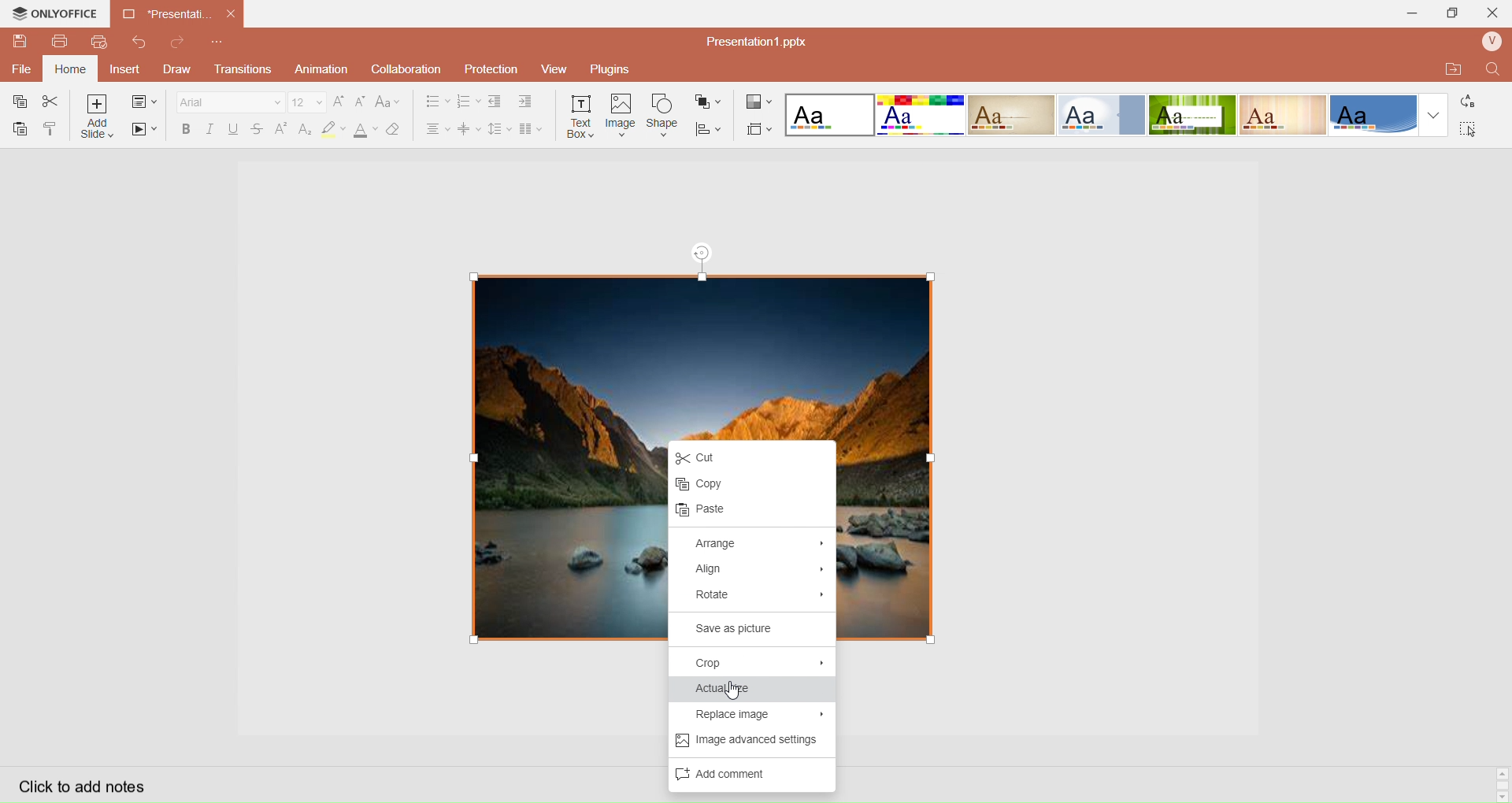 The height and width of the screenshot is (803, 1512). Describe the element at coordinates (307, 103) in the screenshot. I see `Font Size` at that location.